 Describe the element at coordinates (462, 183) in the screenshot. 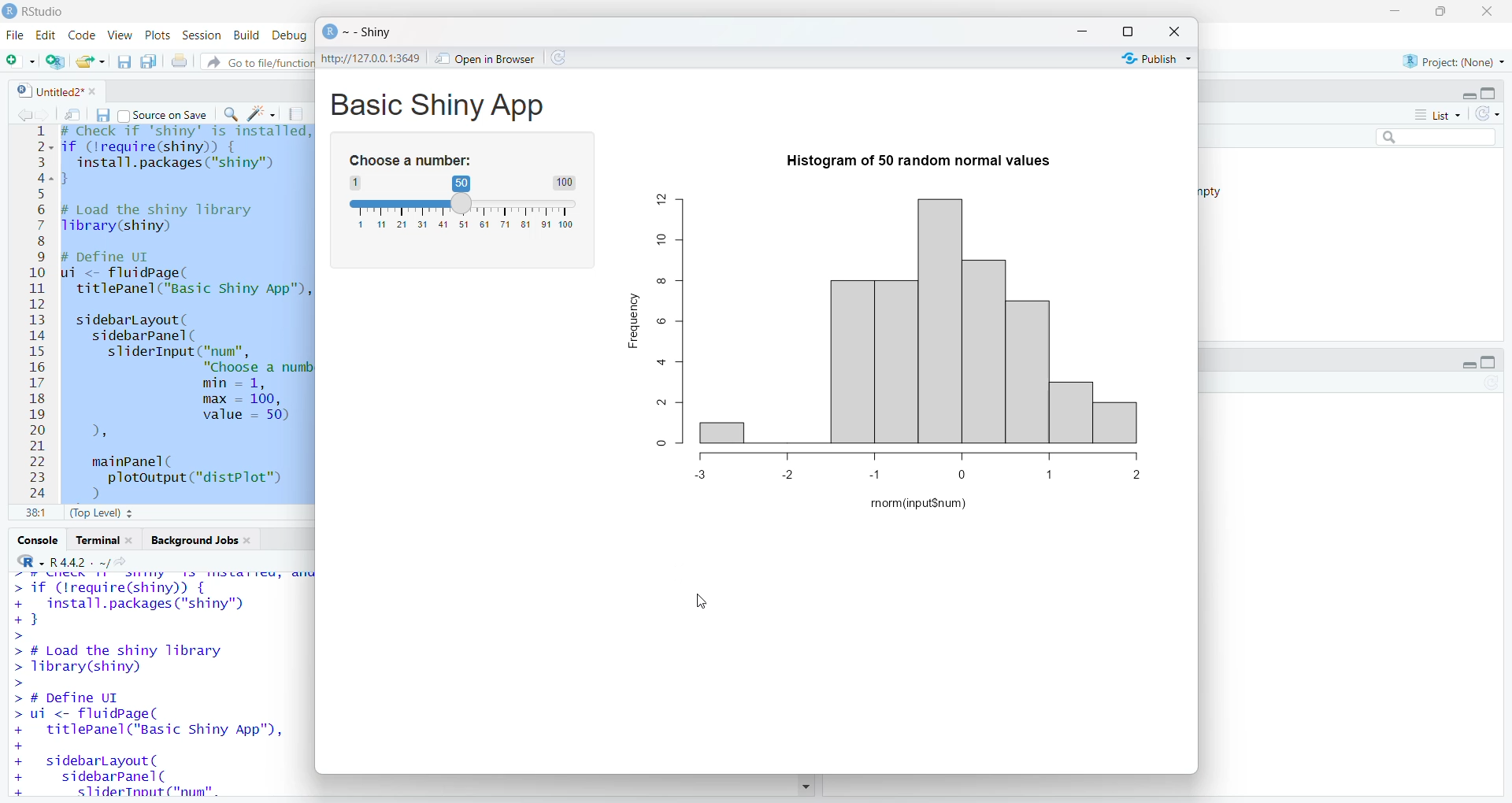

I see `50` at that location.